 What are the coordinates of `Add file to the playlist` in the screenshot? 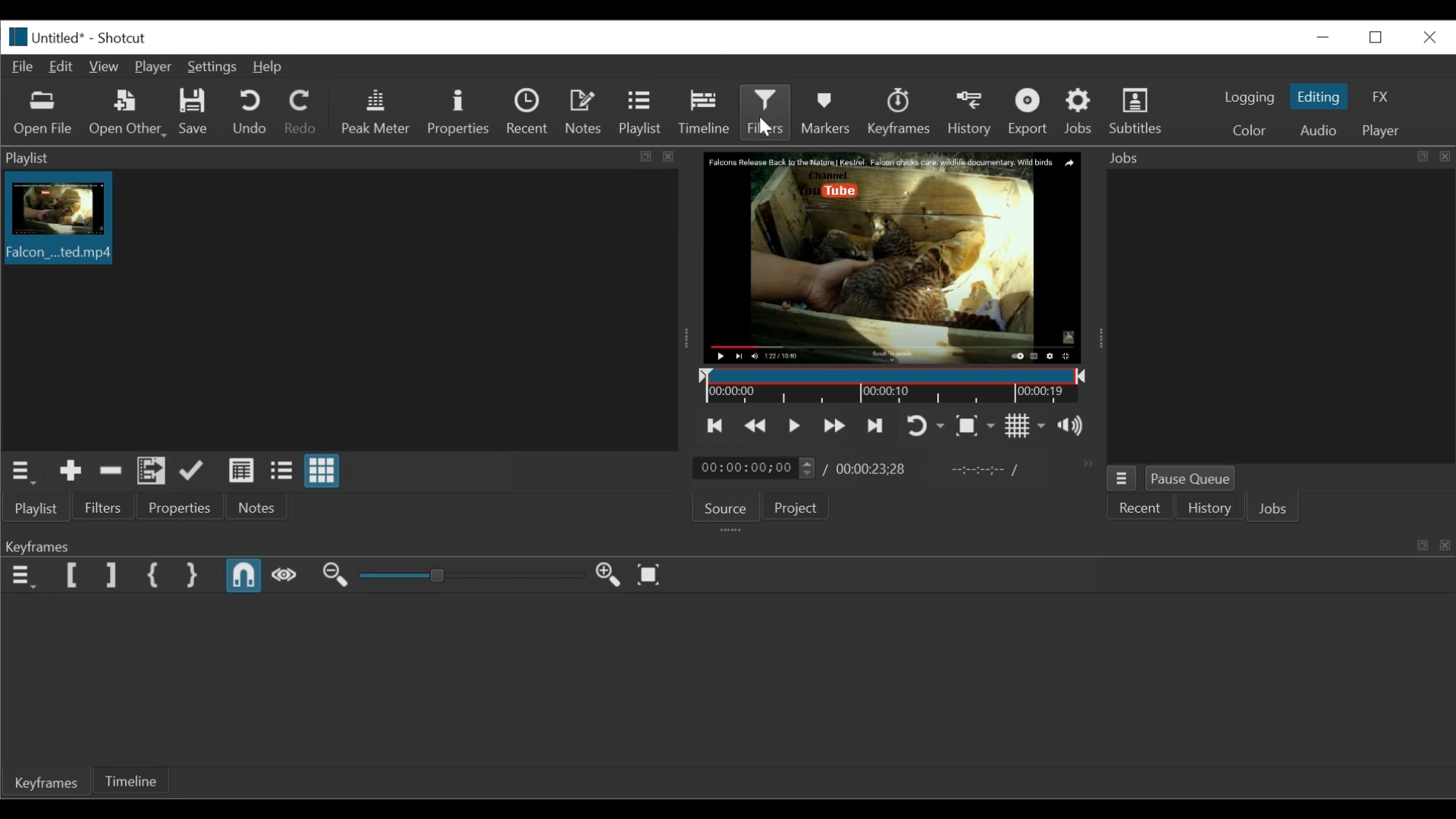 It's located at (151, 471).